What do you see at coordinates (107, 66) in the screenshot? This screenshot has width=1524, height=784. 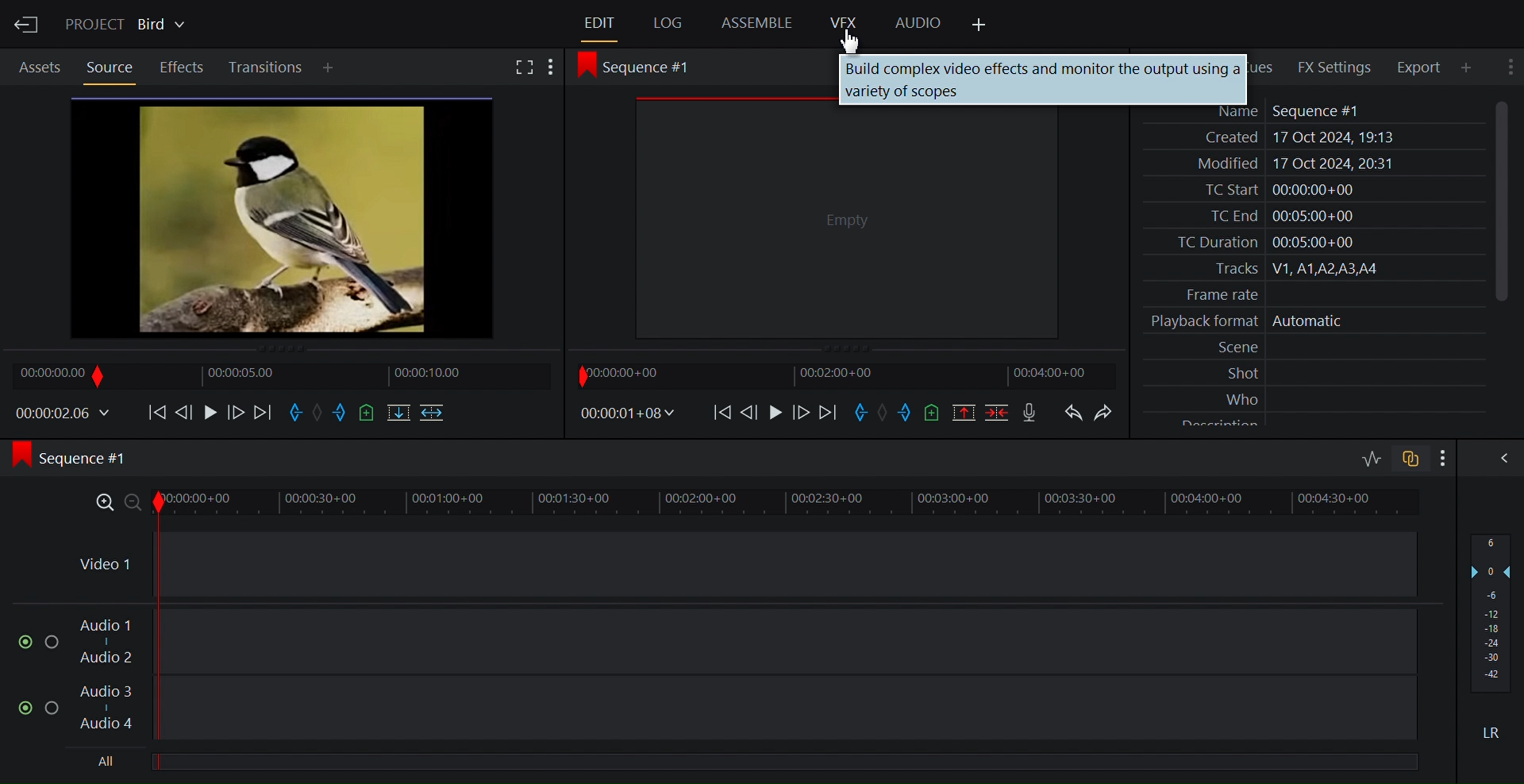 I see `Source` at bounding box center [107, 66].